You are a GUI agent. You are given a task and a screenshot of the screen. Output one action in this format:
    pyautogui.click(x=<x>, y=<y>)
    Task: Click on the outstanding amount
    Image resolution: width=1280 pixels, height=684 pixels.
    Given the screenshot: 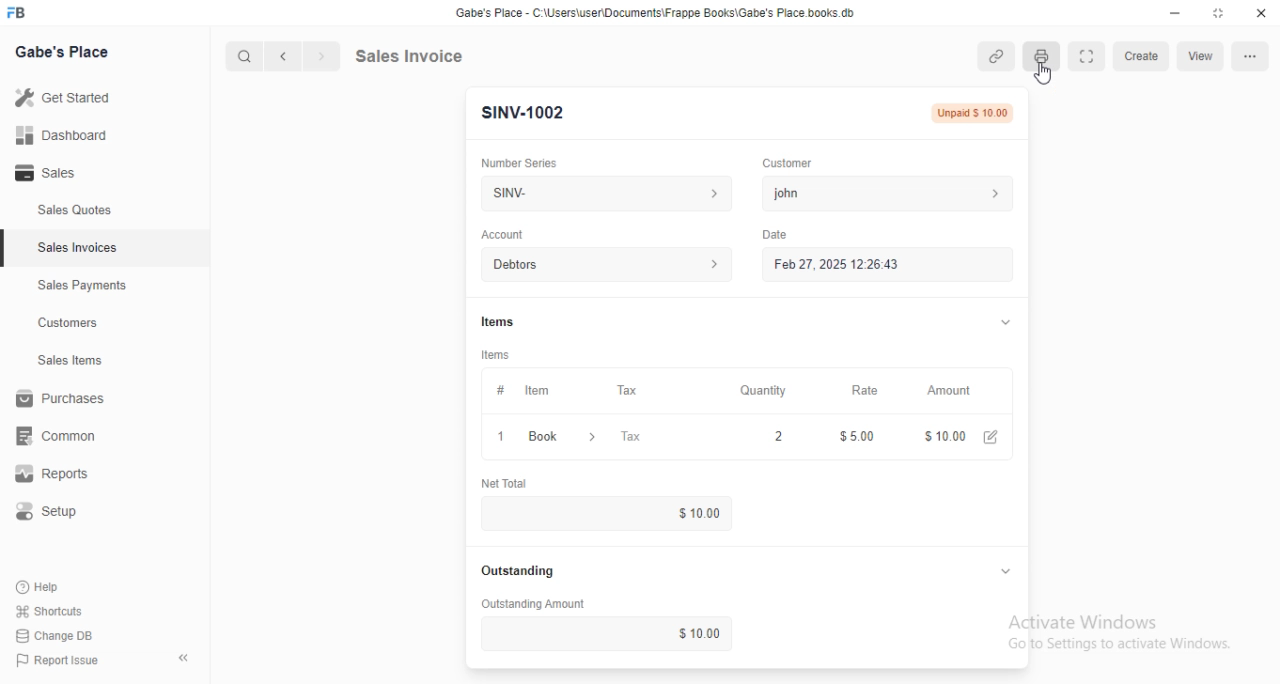 What is the action you would take?
    pyautogui.click(x=533, y=604)
    